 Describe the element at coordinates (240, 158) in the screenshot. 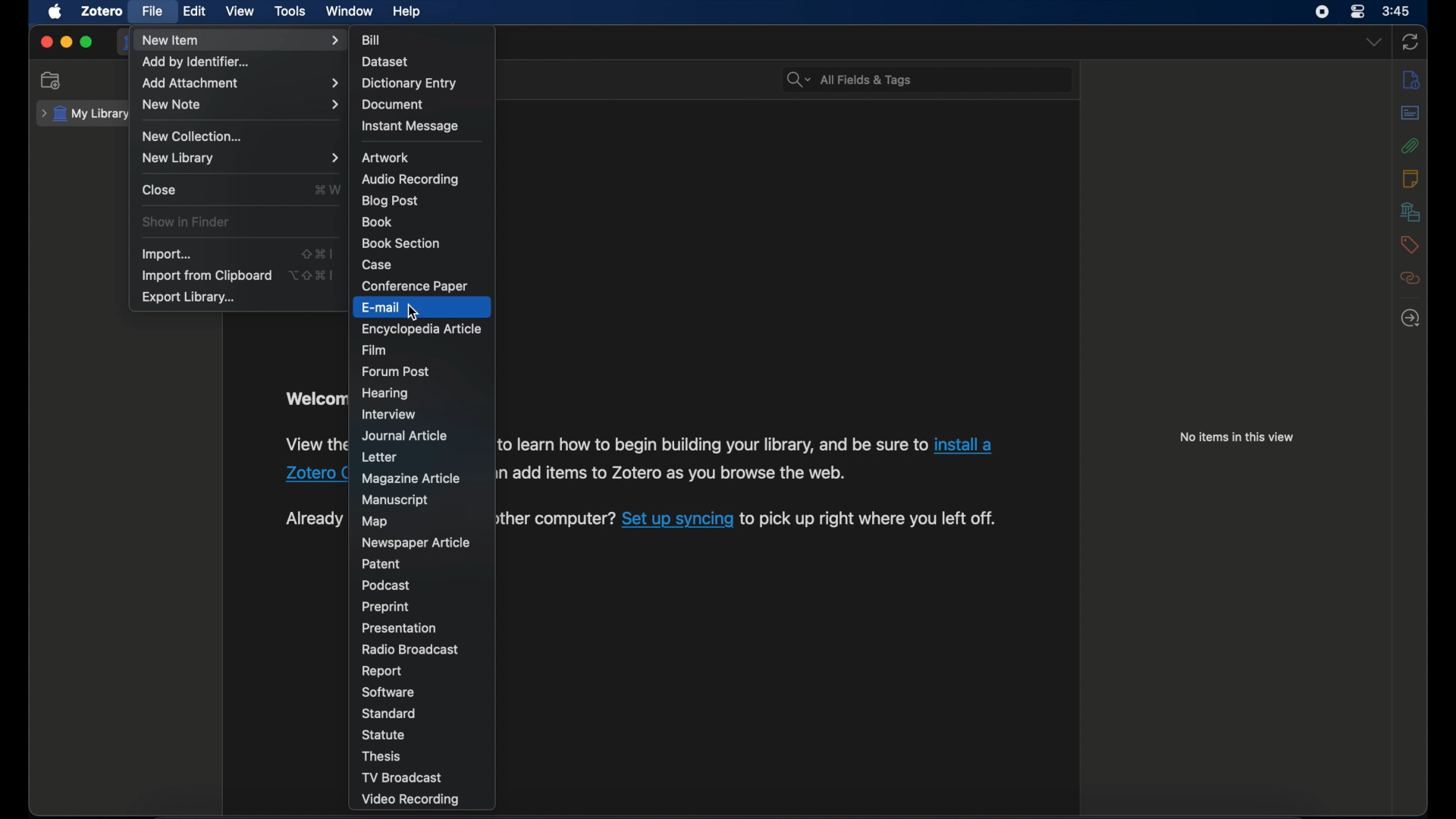

I see `new library` at that location.